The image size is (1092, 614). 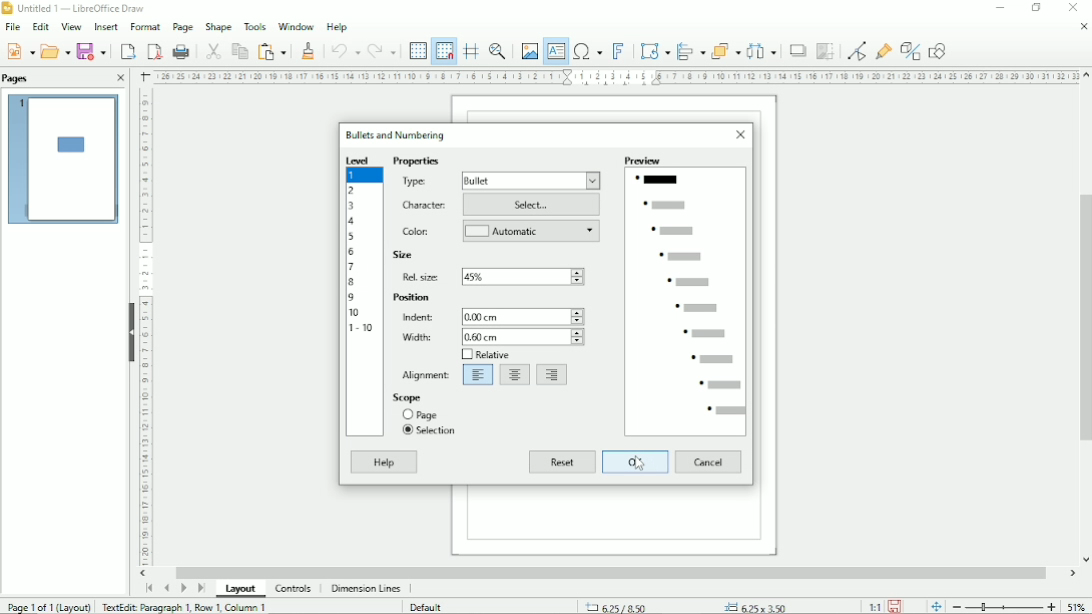 What do you see at coordinates (425, 397) in the screenshot?
I see `Scope` at bounding box center [425, 397].